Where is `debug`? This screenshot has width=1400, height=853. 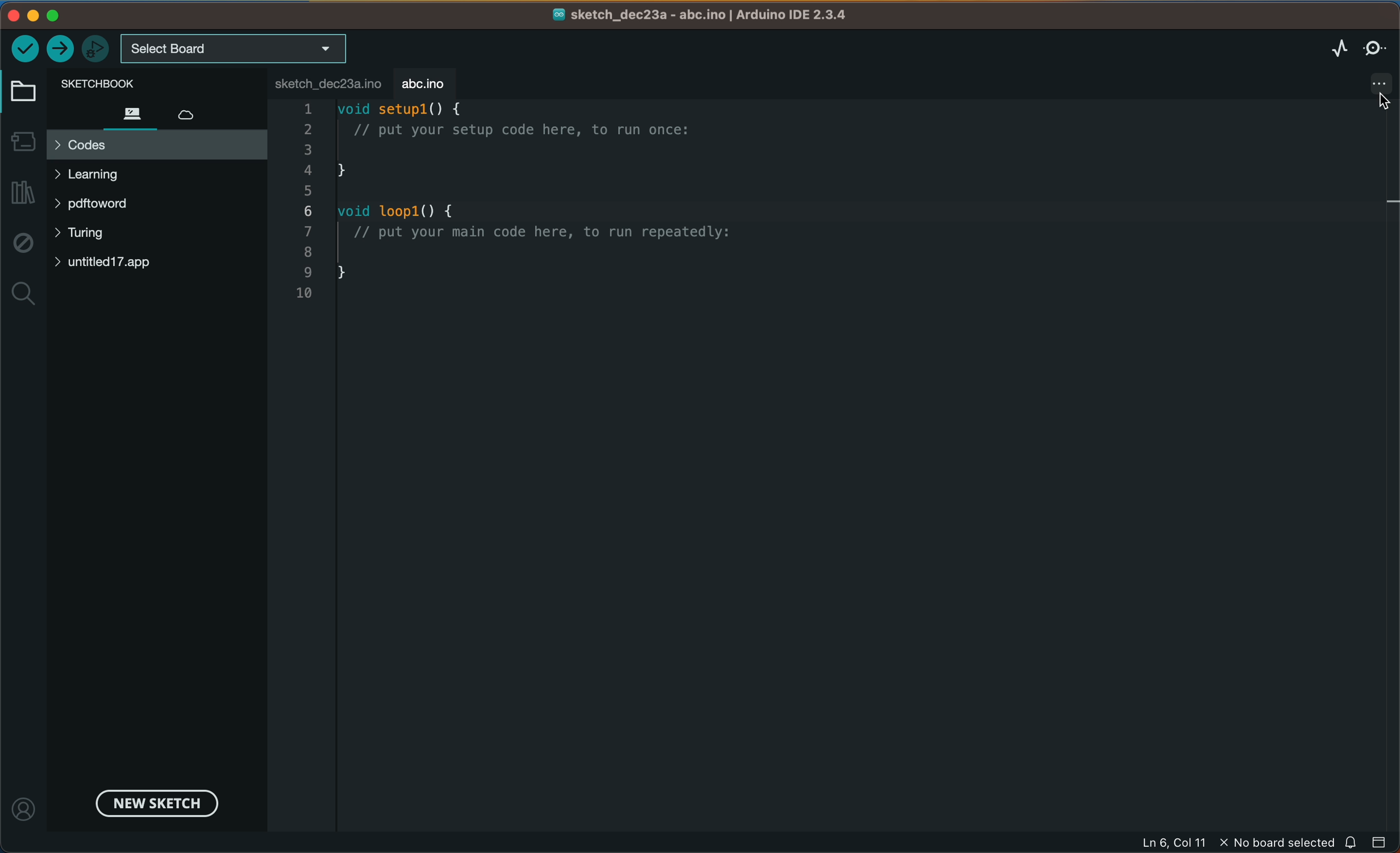
debug is located at coordinates (21, 243).